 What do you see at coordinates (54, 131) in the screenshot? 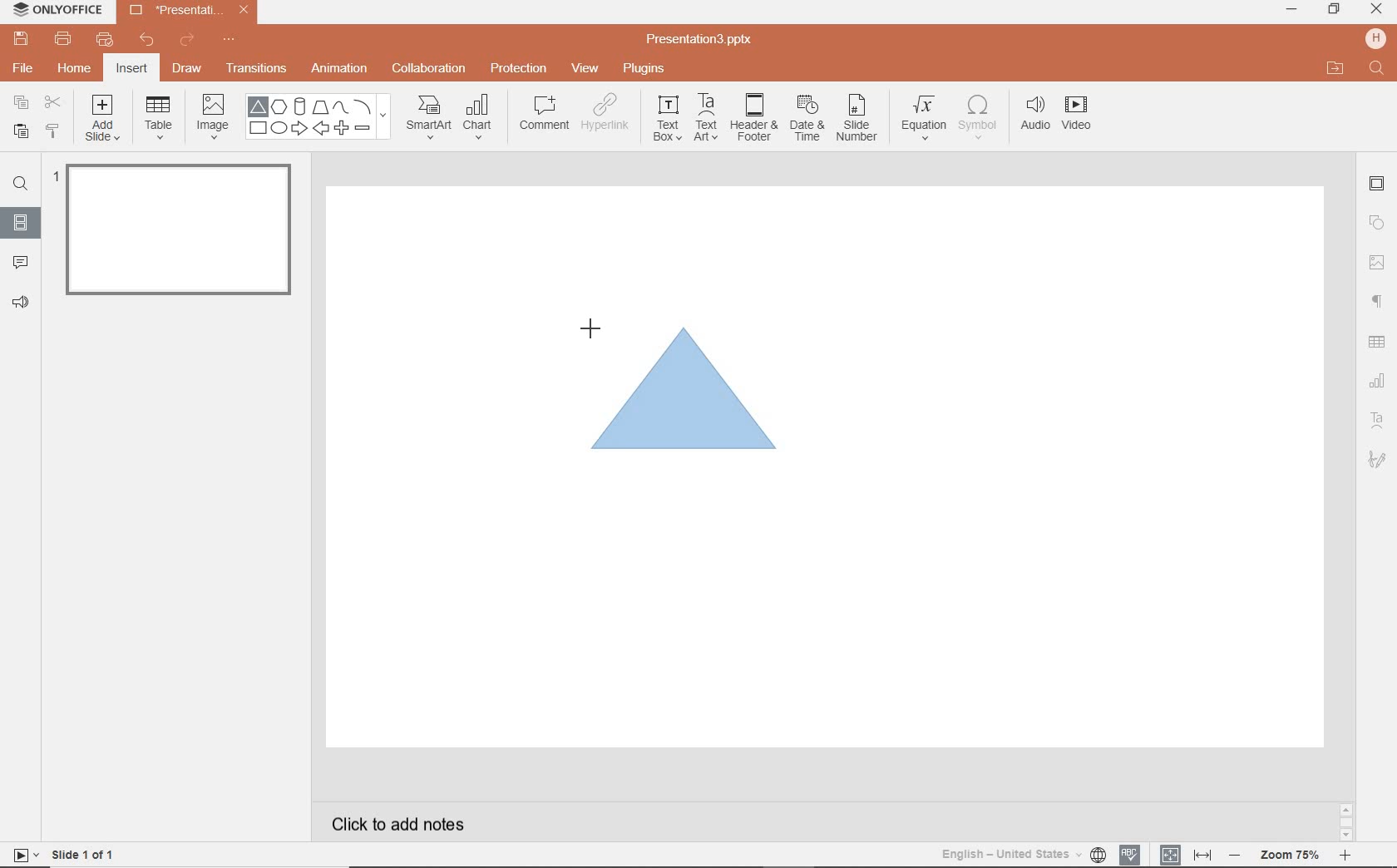
I see `COPY STYLE` at bounding box center [54, 131].